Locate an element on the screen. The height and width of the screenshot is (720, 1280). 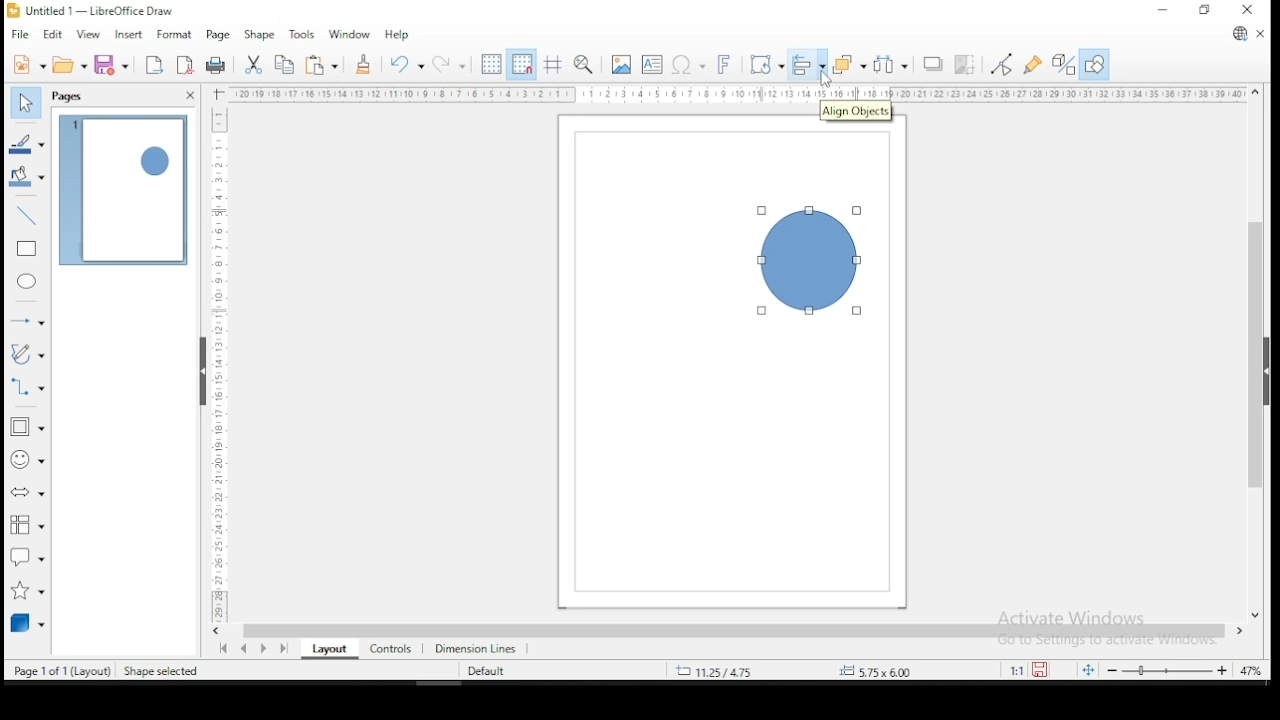
edit is located at coordinates (52, 35).